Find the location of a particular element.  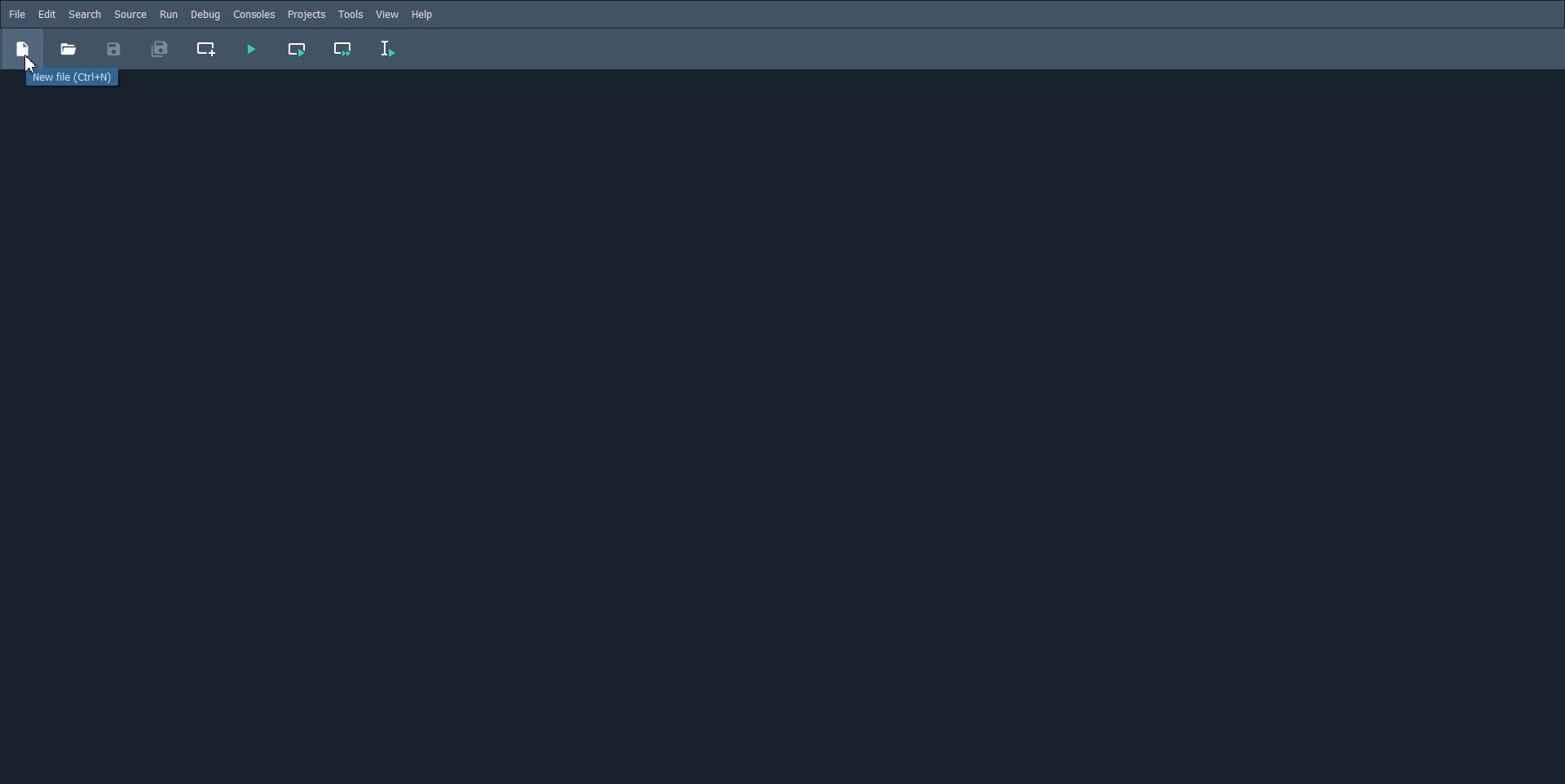

Save All File is located at coordinates (158, 49).